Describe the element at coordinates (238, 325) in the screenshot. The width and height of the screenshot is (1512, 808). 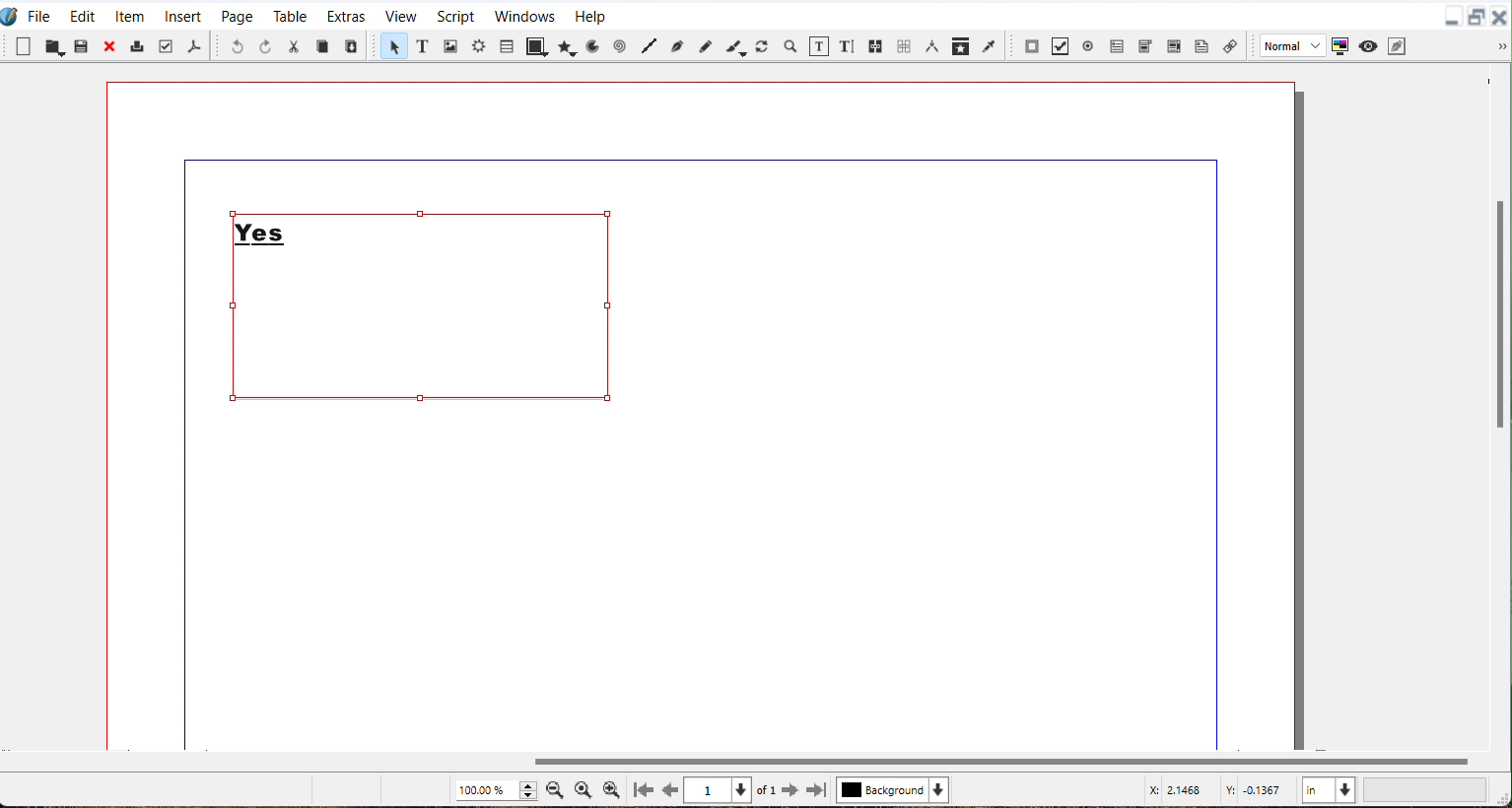
I see `text frame` at that location.